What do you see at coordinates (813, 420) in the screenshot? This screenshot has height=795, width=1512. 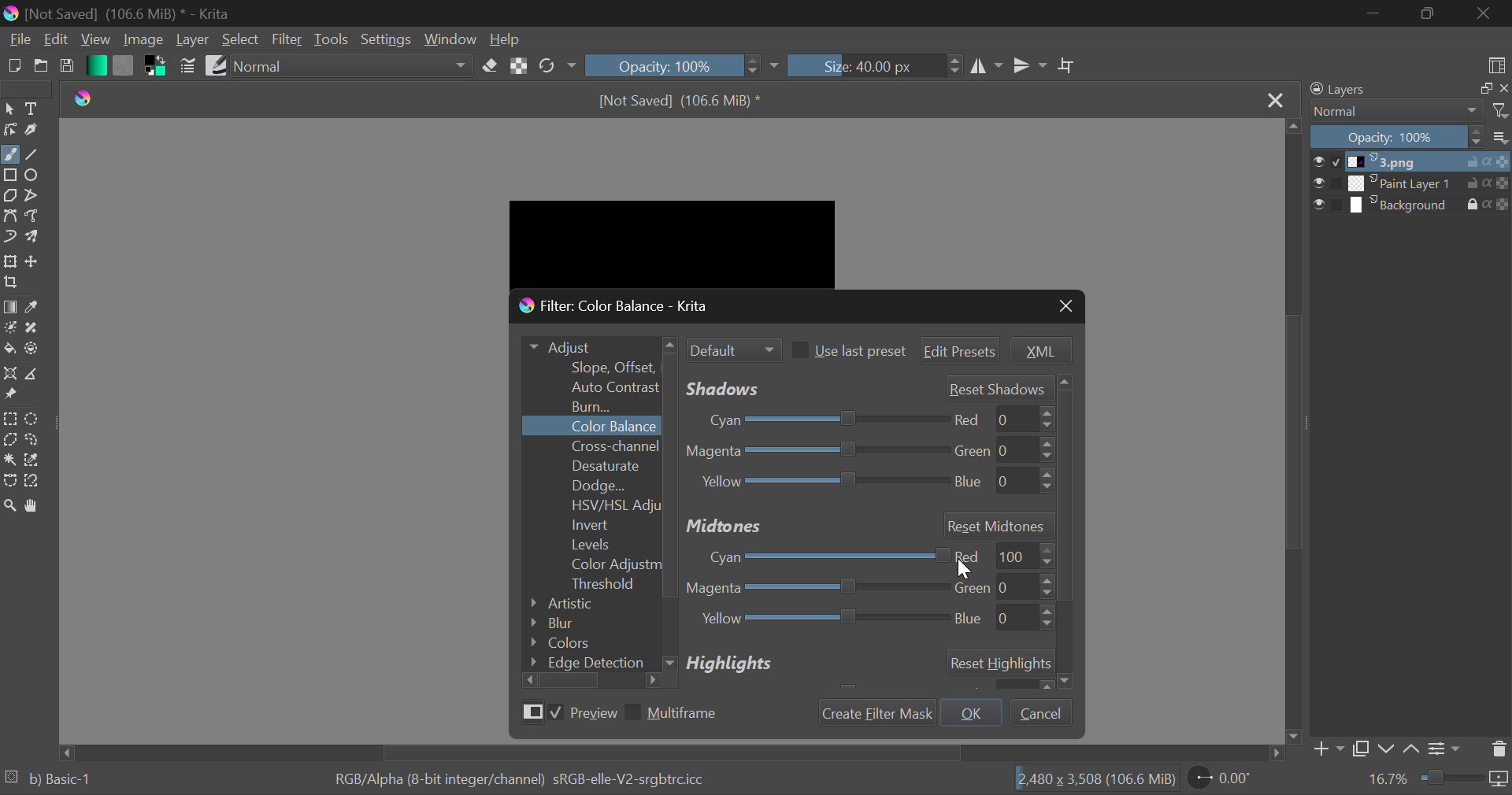 I see `Cyan-Red Slider` at bounding box center [813, 420].